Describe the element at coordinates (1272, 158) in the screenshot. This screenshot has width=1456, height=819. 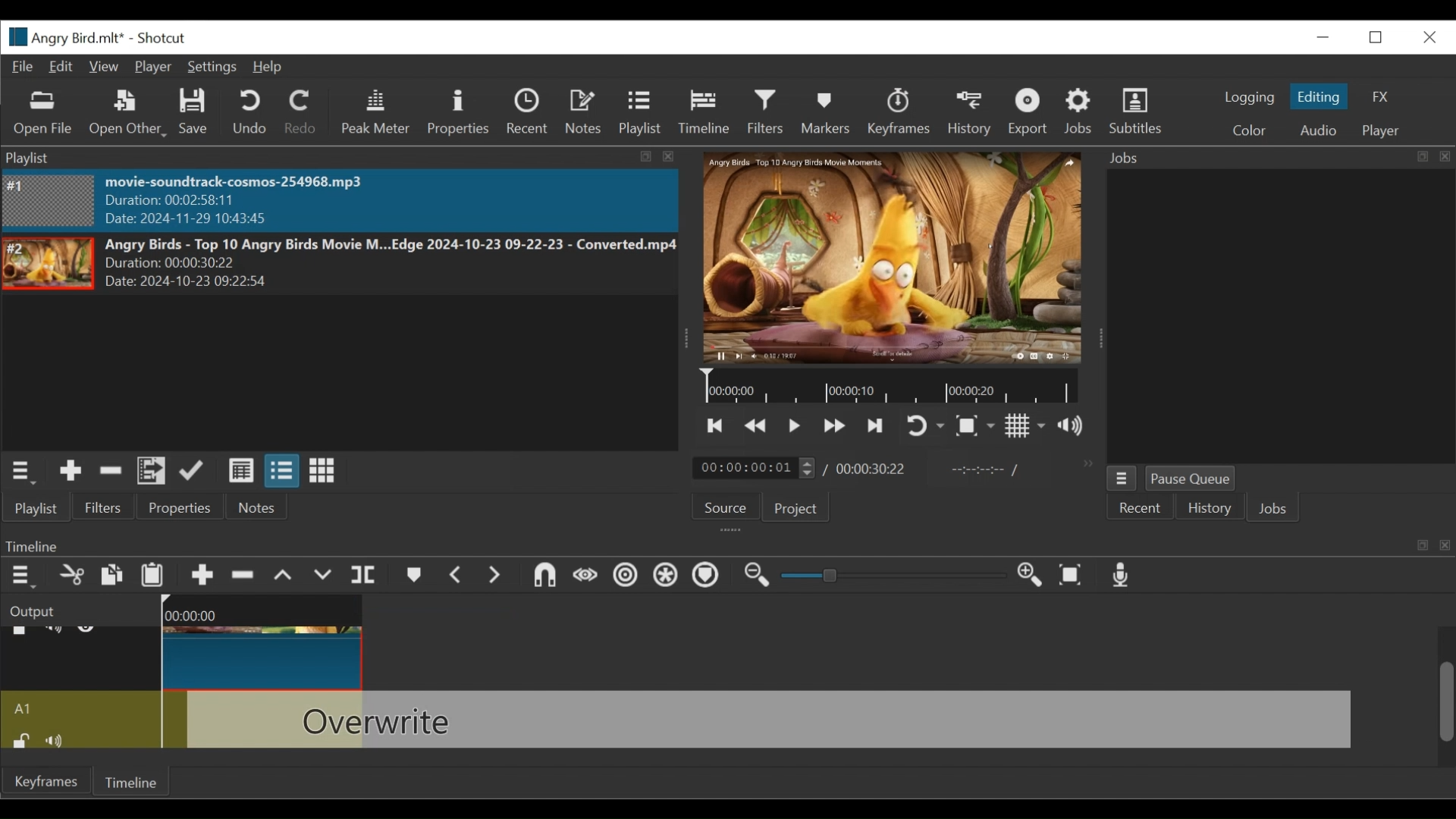
I see `Jobs Panel` at that location.